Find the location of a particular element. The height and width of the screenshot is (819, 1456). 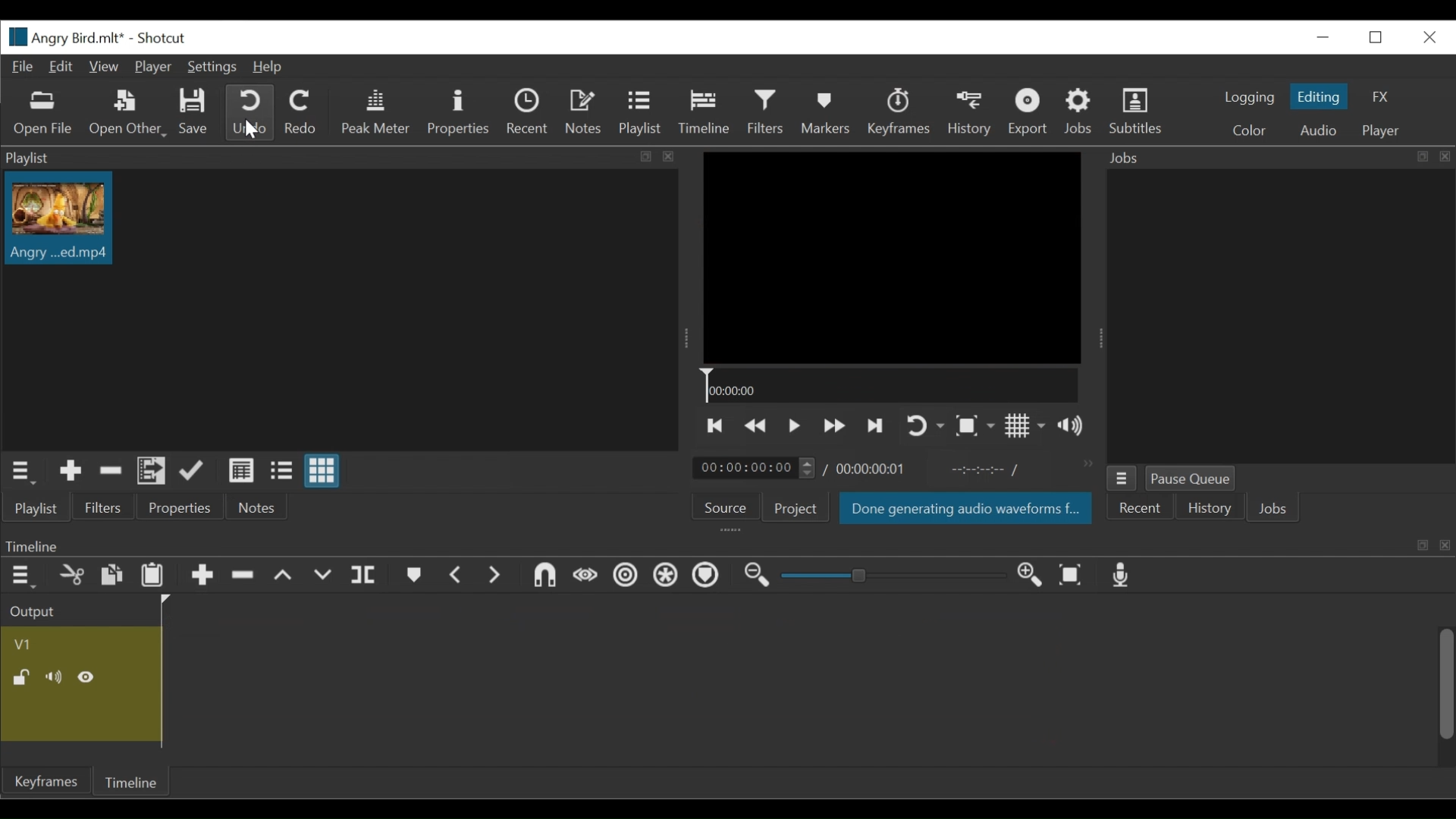

Filters is located at coordinates (766, 111).